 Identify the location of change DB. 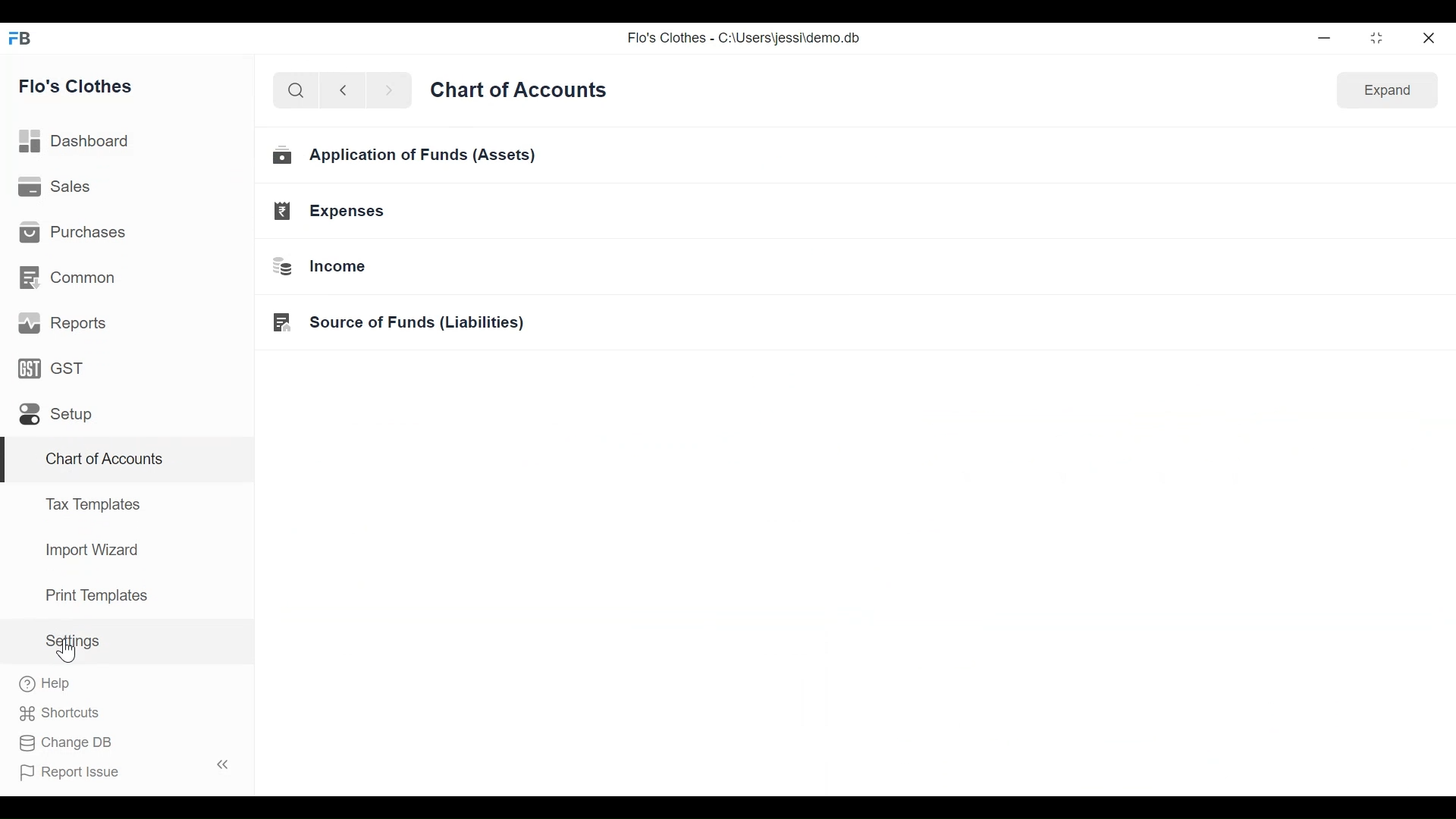
(64, 743).